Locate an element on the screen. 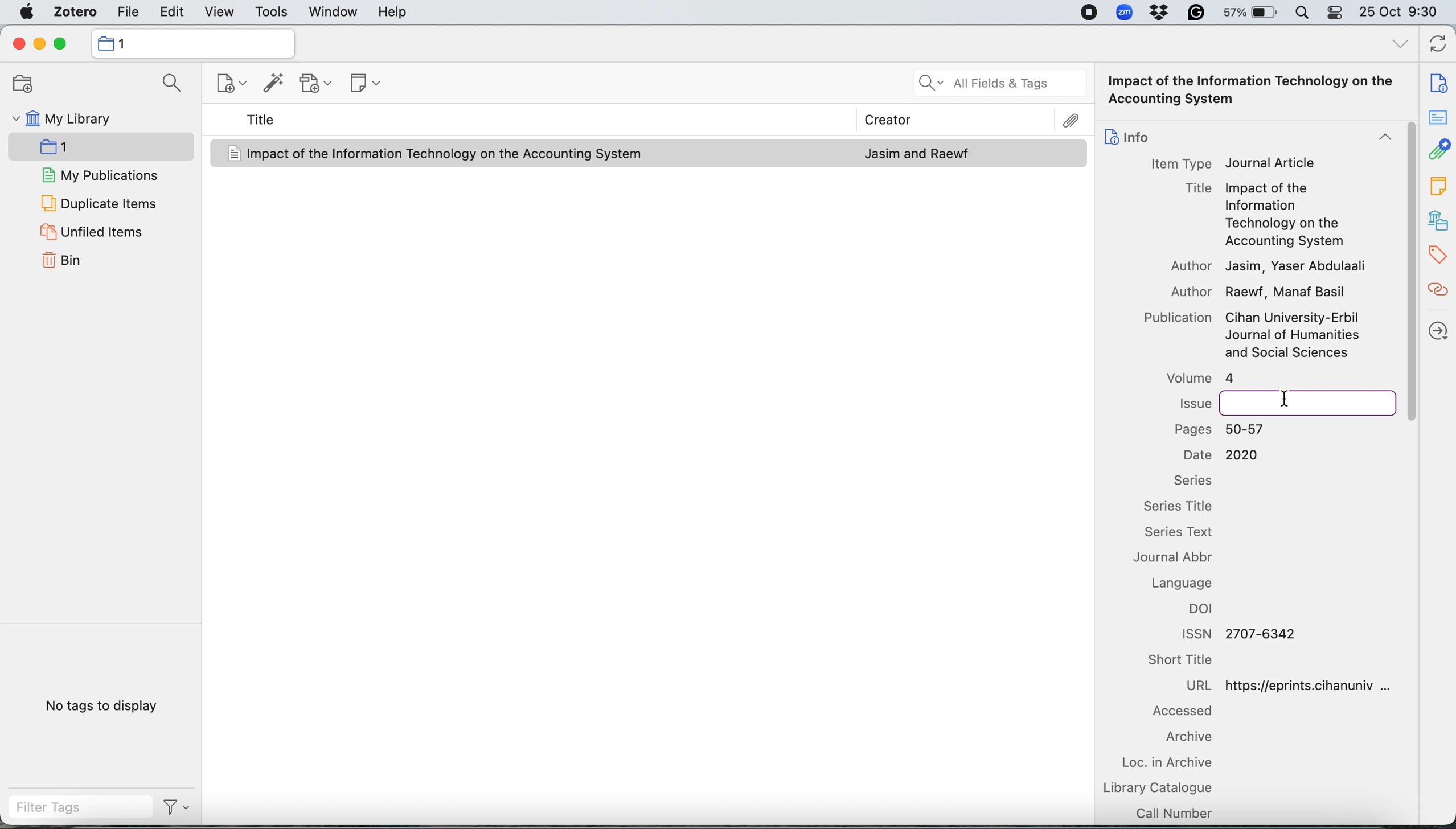 Image resolution: width=1456 pixels, height=829 pixels. spotlight search is located at coordinates (1302, 13).